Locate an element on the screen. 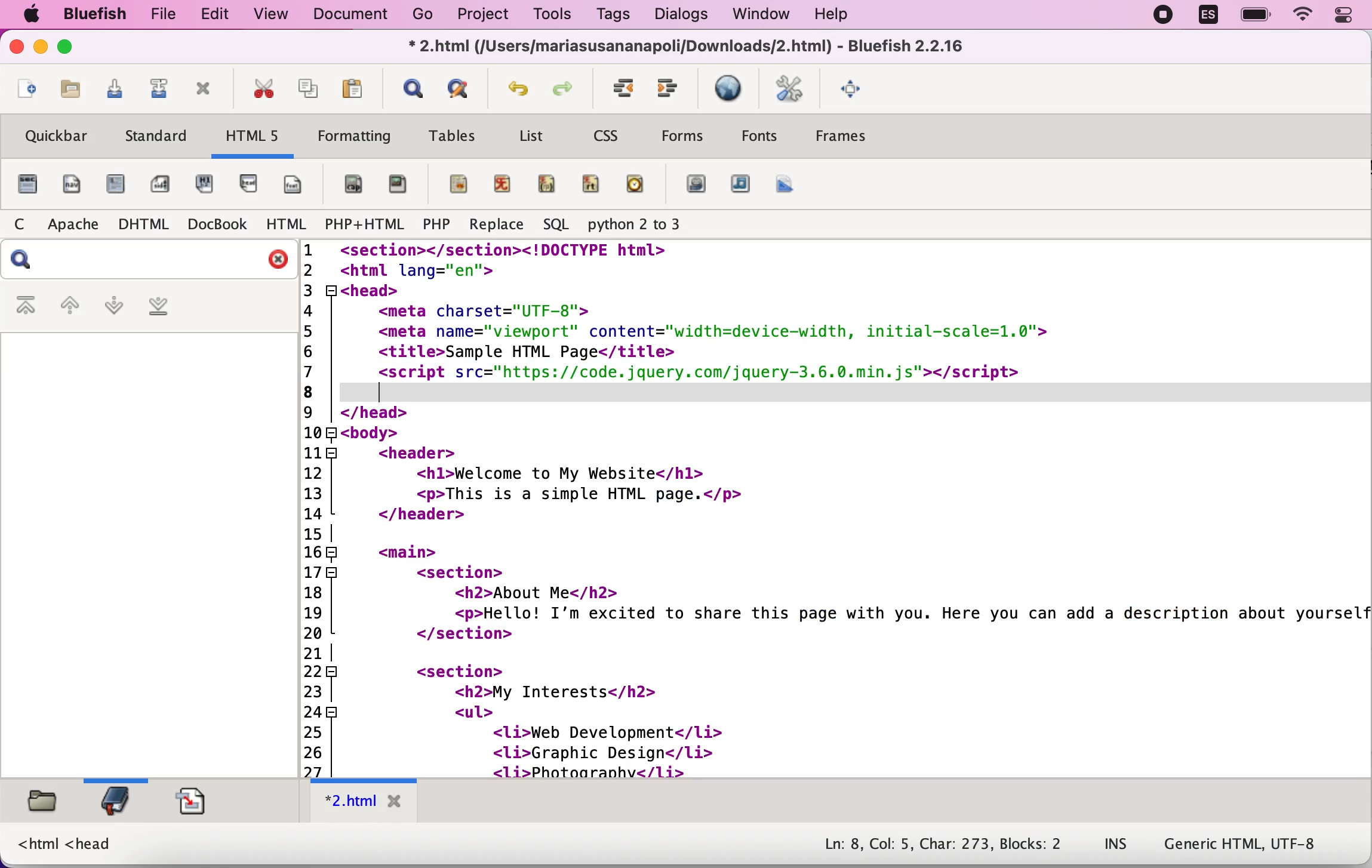 Image resolution: width=1372 pixels, height=868 pixels. tables is located at coordinates (454, 135).